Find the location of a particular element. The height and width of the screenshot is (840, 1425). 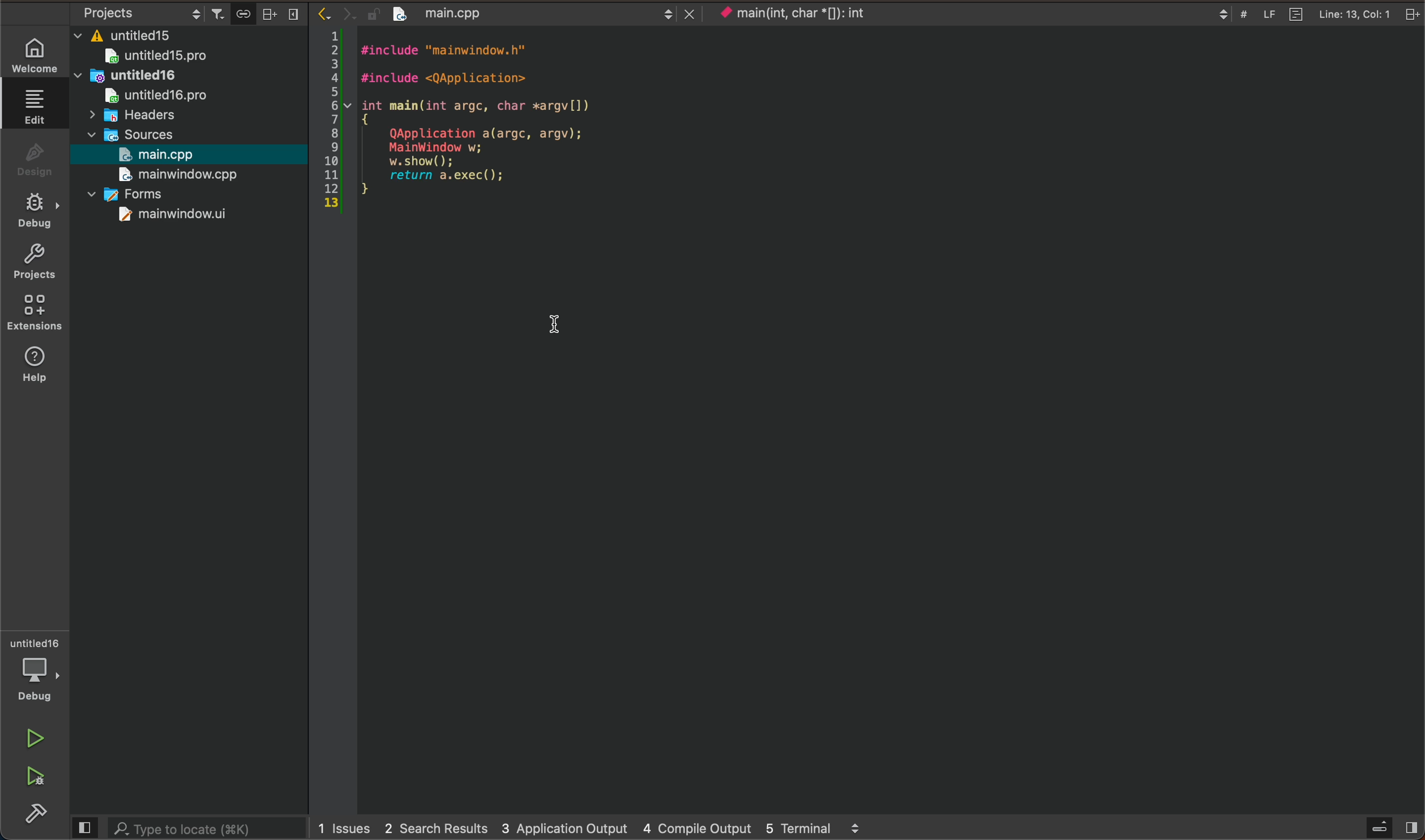

close bar is located at coordinates (85, 828).